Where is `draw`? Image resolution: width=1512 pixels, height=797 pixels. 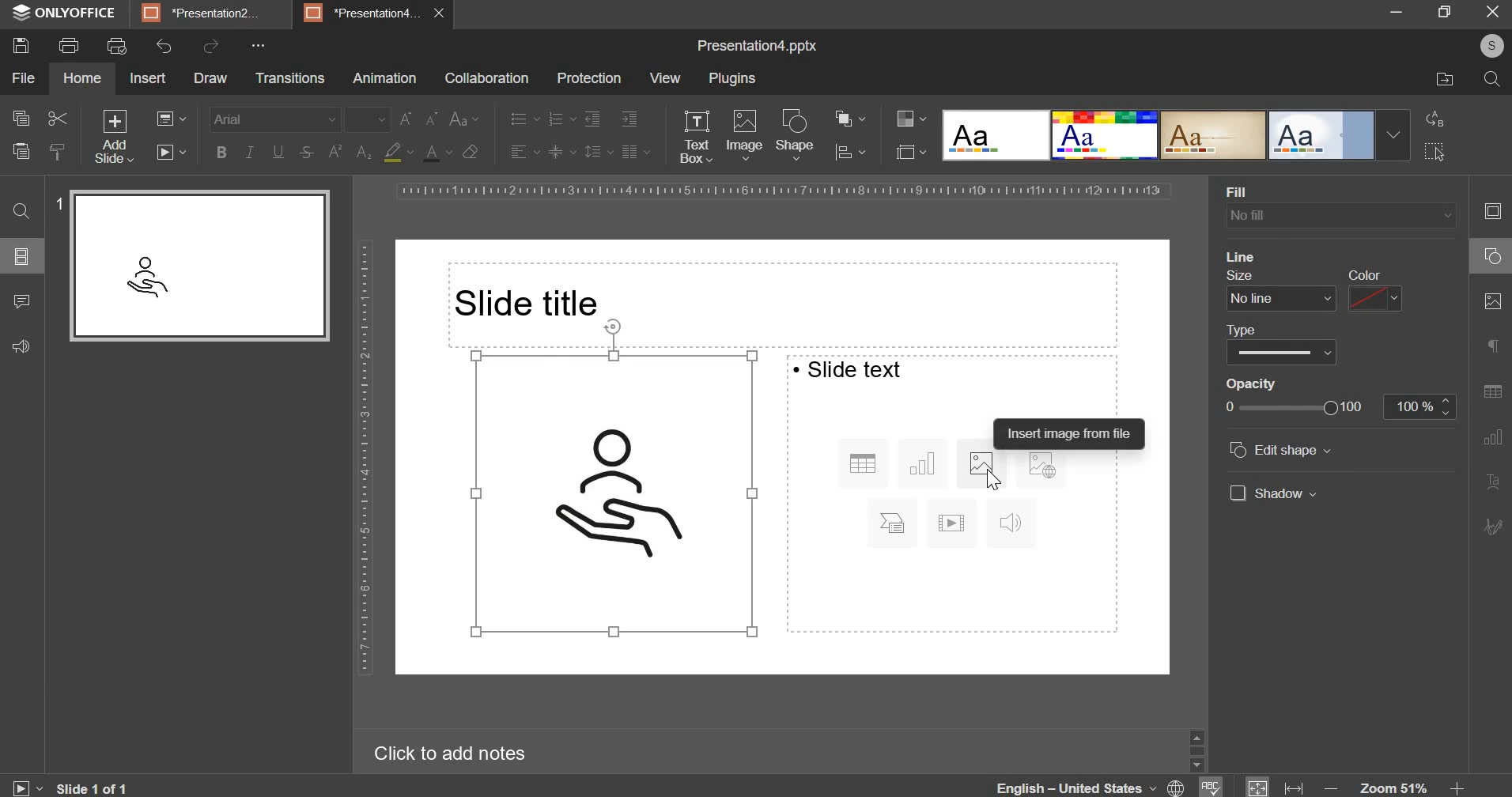
draw is located at coordinates (211, 77).